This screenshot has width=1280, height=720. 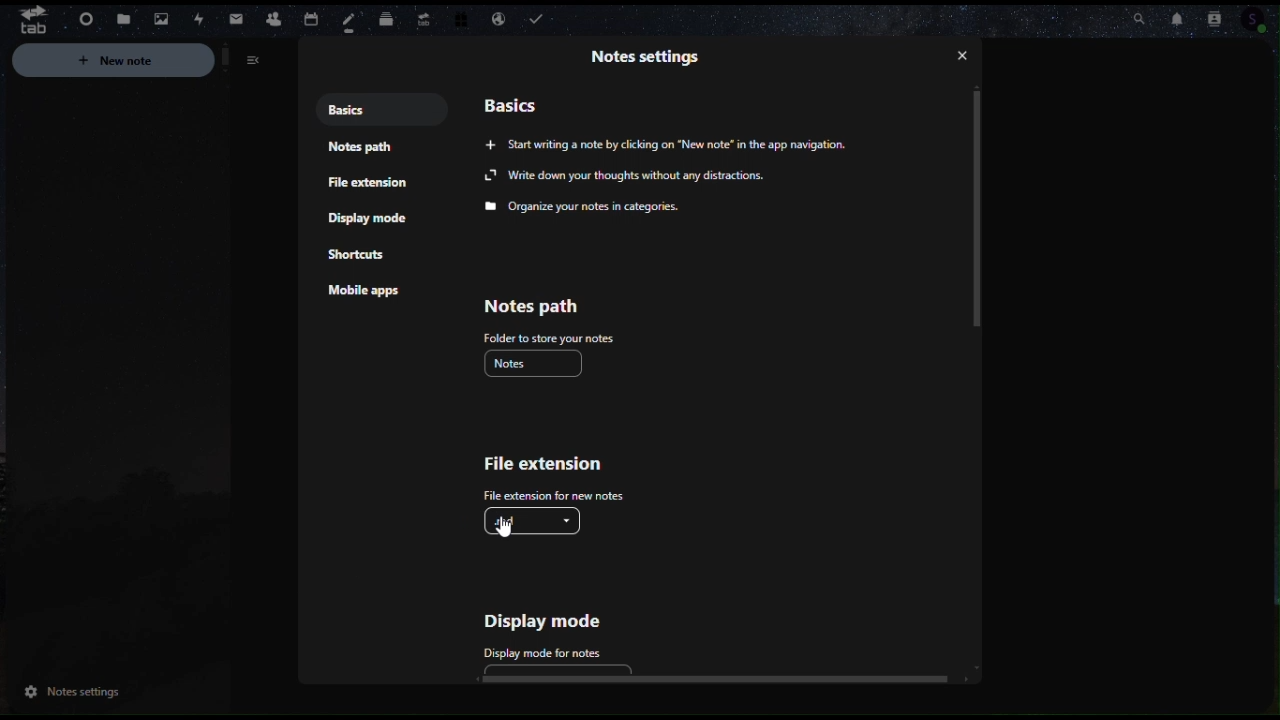 I want to click on Photos, so click(x=157, y=17).